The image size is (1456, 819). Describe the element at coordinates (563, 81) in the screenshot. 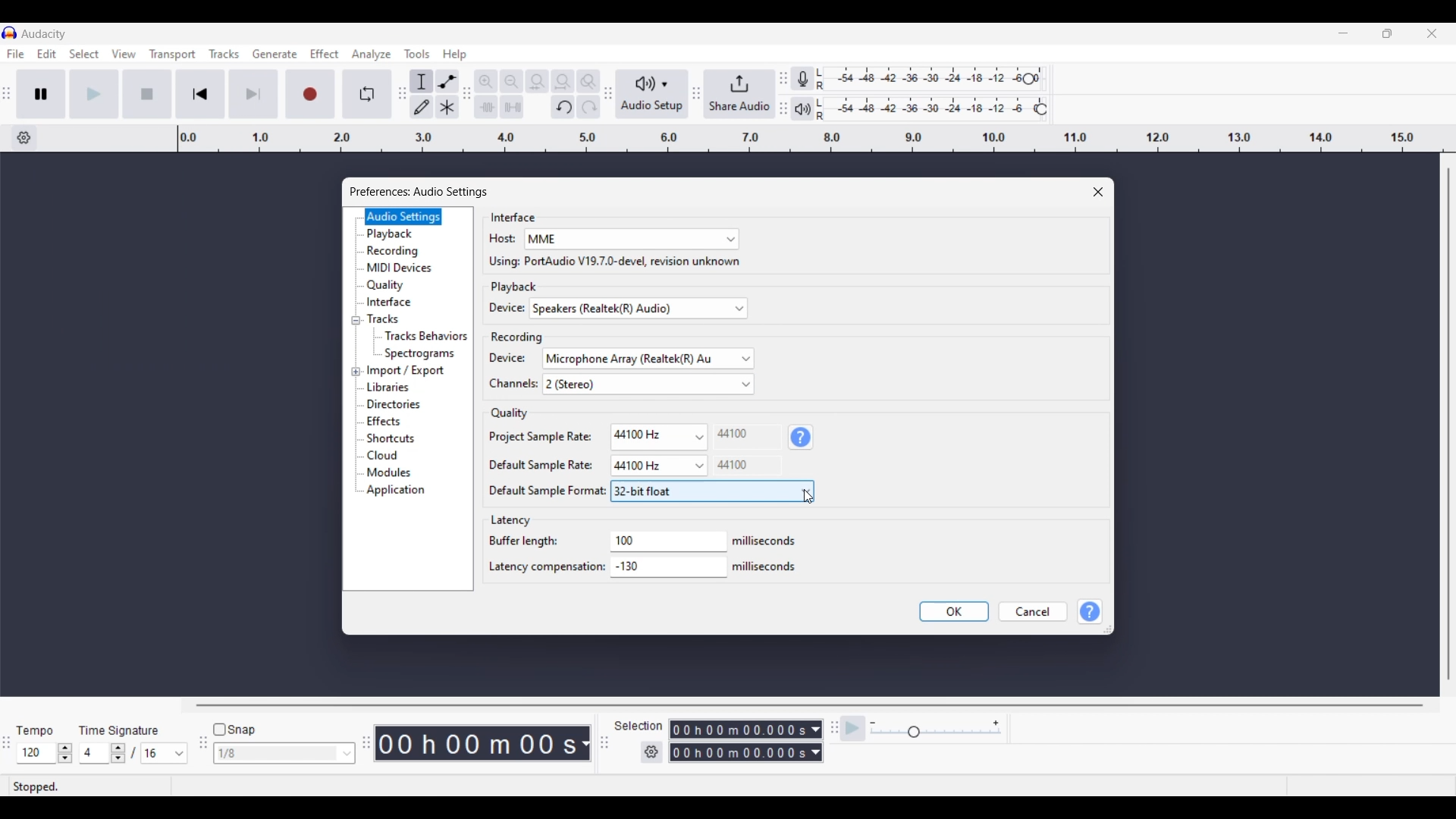

I see `Fit project to width` at that location.